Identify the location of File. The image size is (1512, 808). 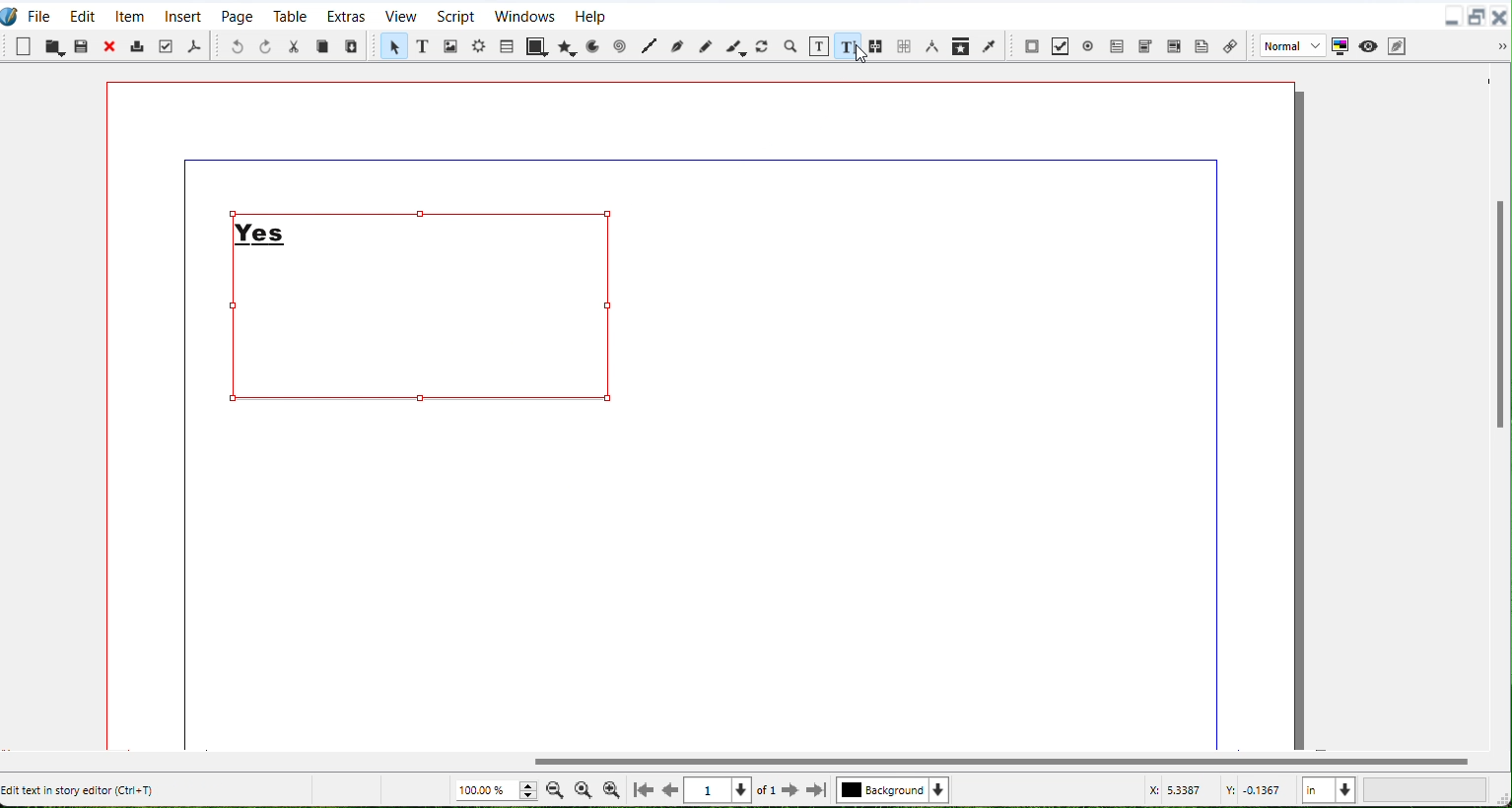
(40, 14).